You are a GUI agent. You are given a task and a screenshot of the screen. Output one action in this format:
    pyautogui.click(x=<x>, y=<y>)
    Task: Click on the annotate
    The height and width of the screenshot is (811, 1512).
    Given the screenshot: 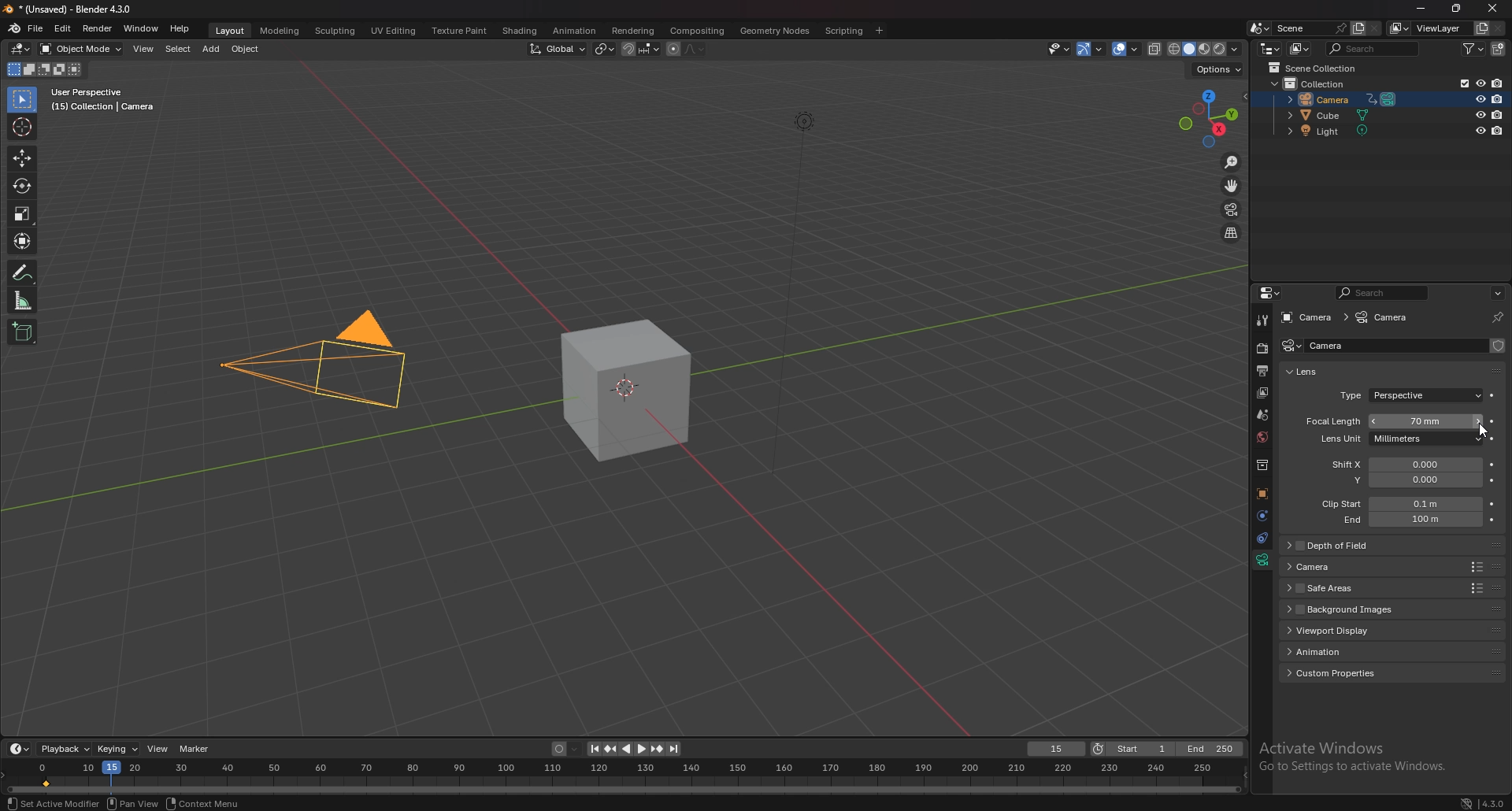 What is the action you would take?
    pyautogui.click(x=24, y=272)
    